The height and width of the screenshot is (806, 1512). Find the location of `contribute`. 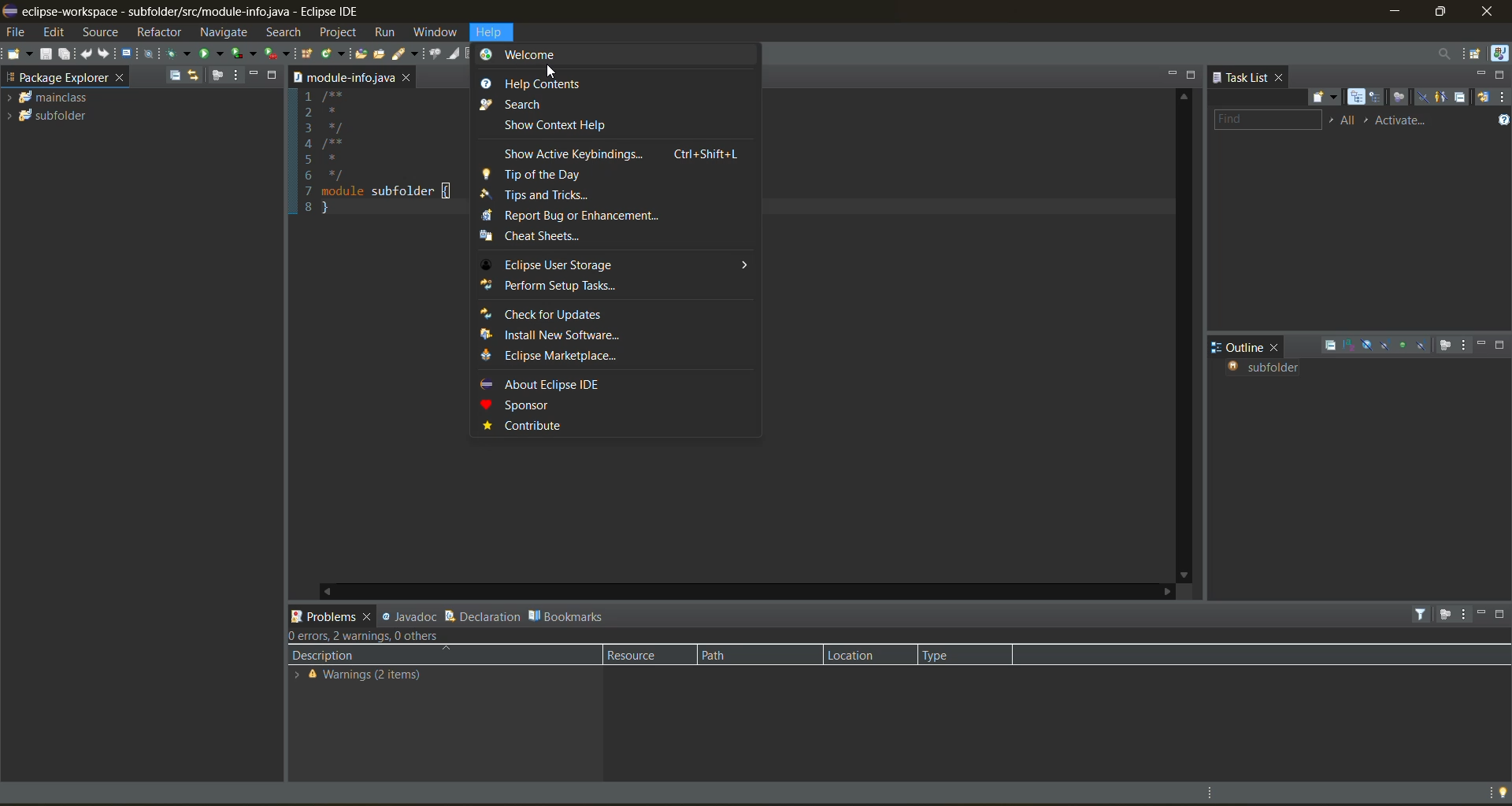

contribute is located at coordinates (530, 426).